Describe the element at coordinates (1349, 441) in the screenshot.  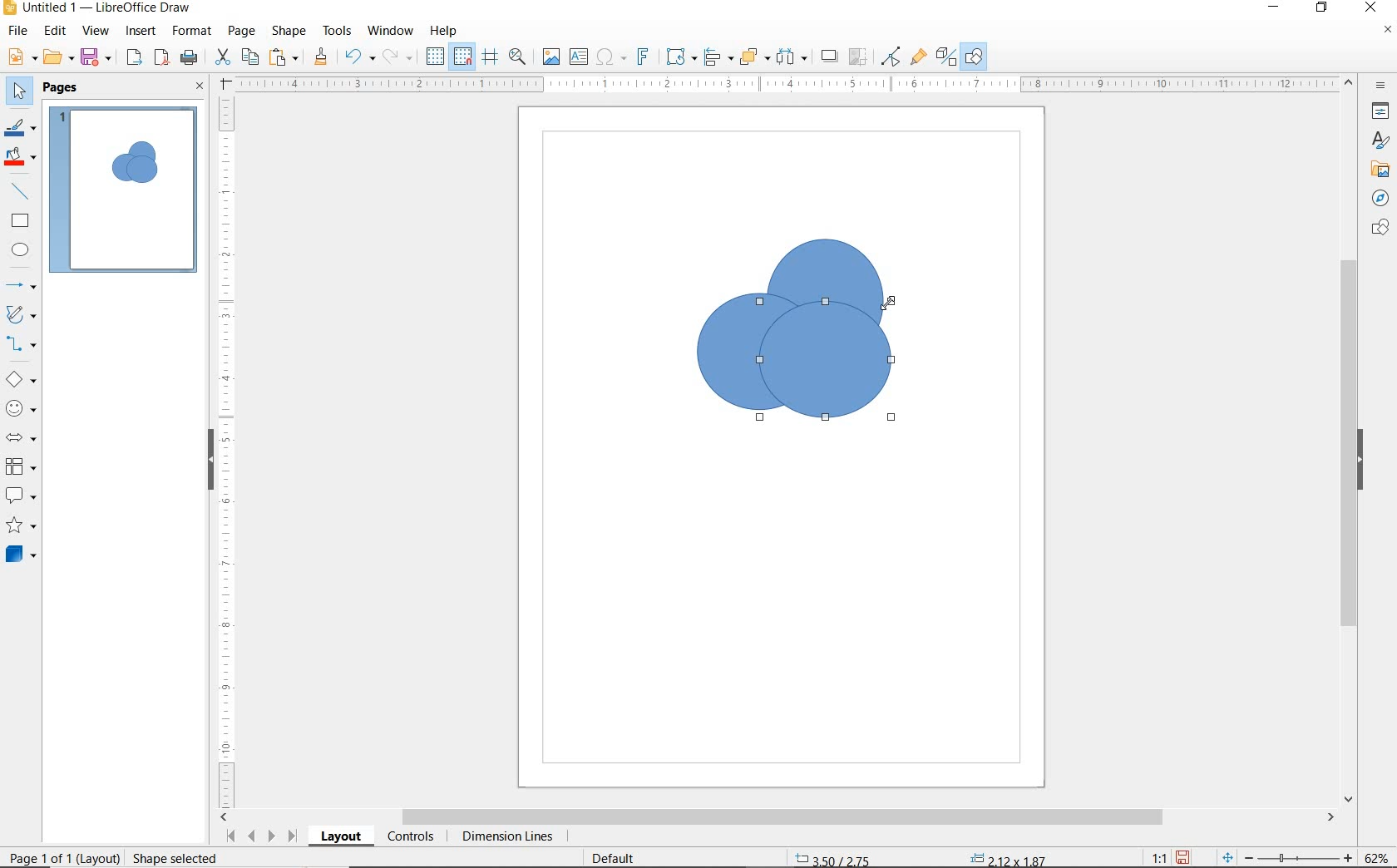
I see `SCROLLBAR` at that location.